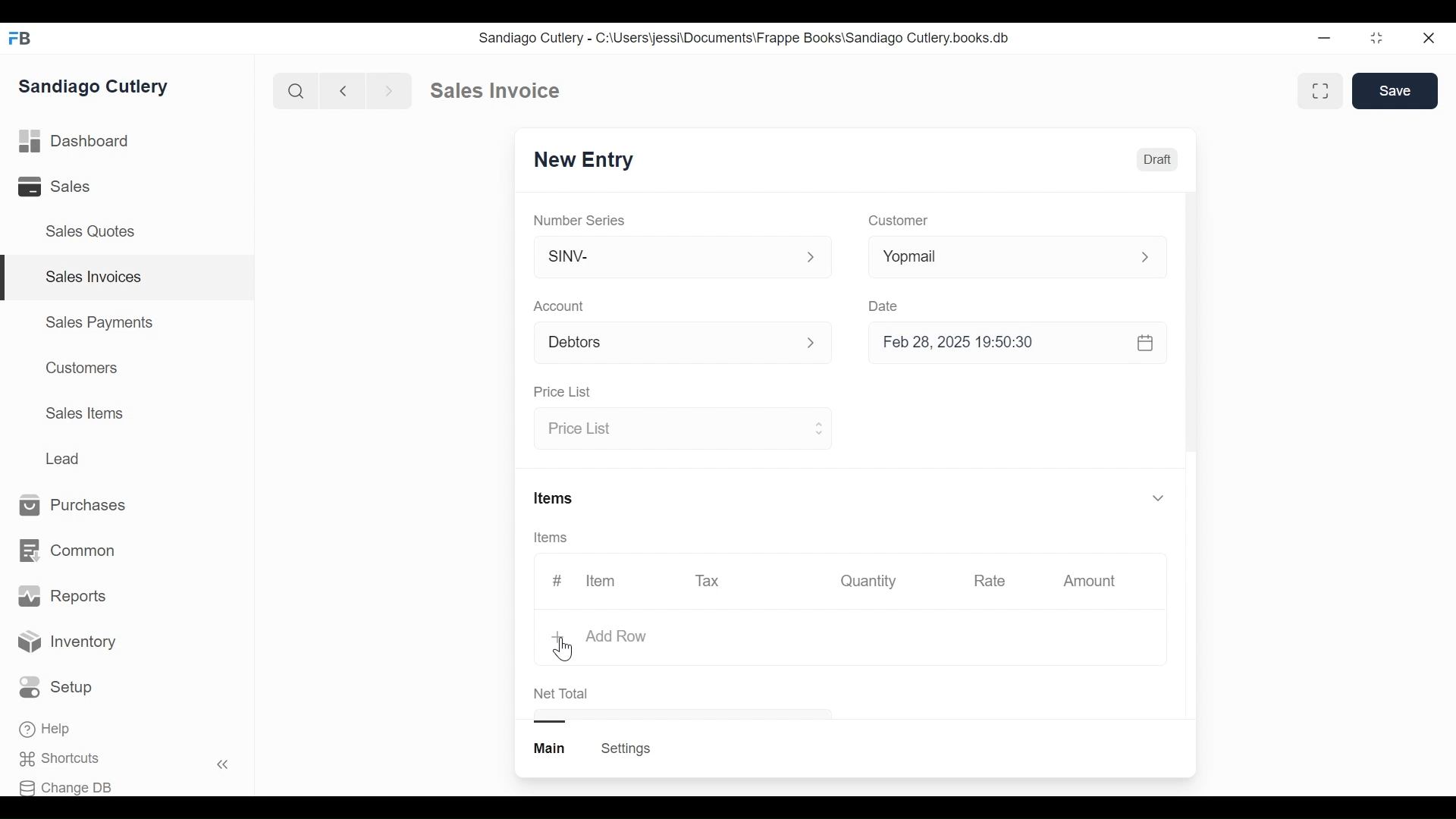  I want to click on Customer, so click(896, 221).